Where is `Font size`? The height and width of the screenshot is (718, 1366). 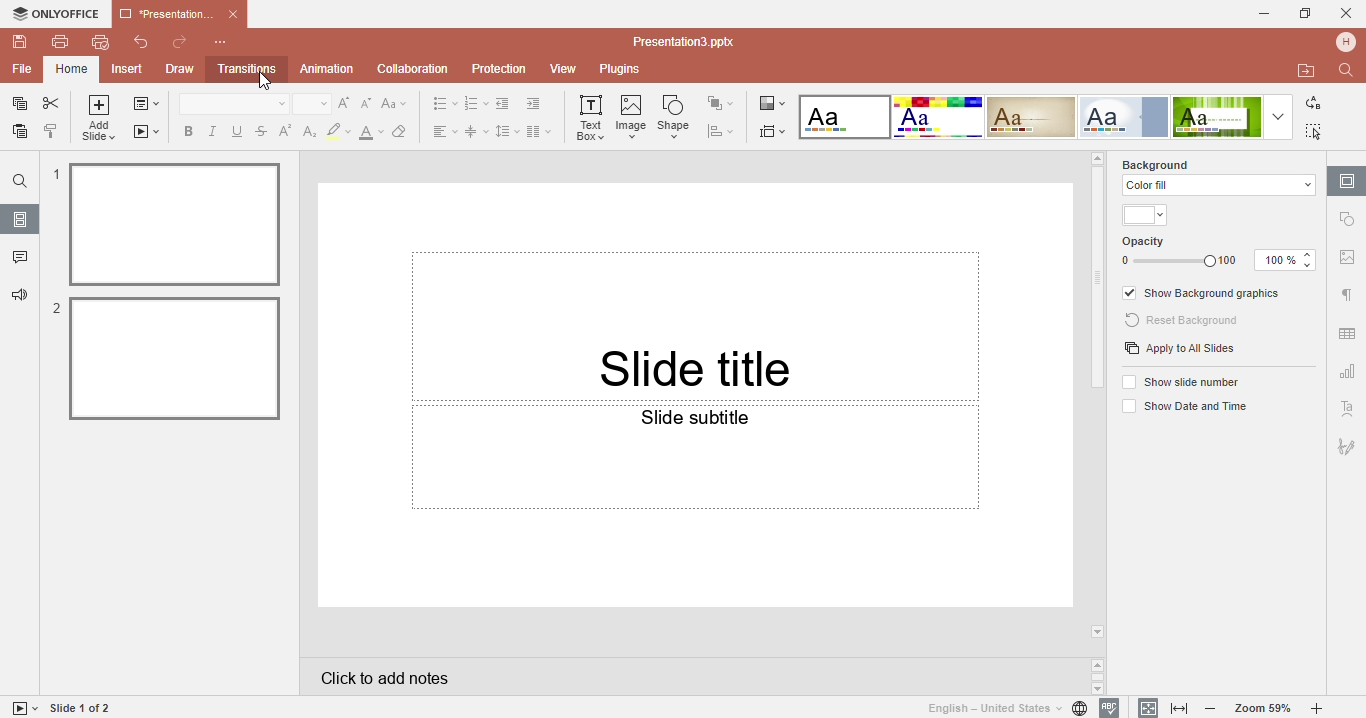
Font size is located at coordinates (313, 104).